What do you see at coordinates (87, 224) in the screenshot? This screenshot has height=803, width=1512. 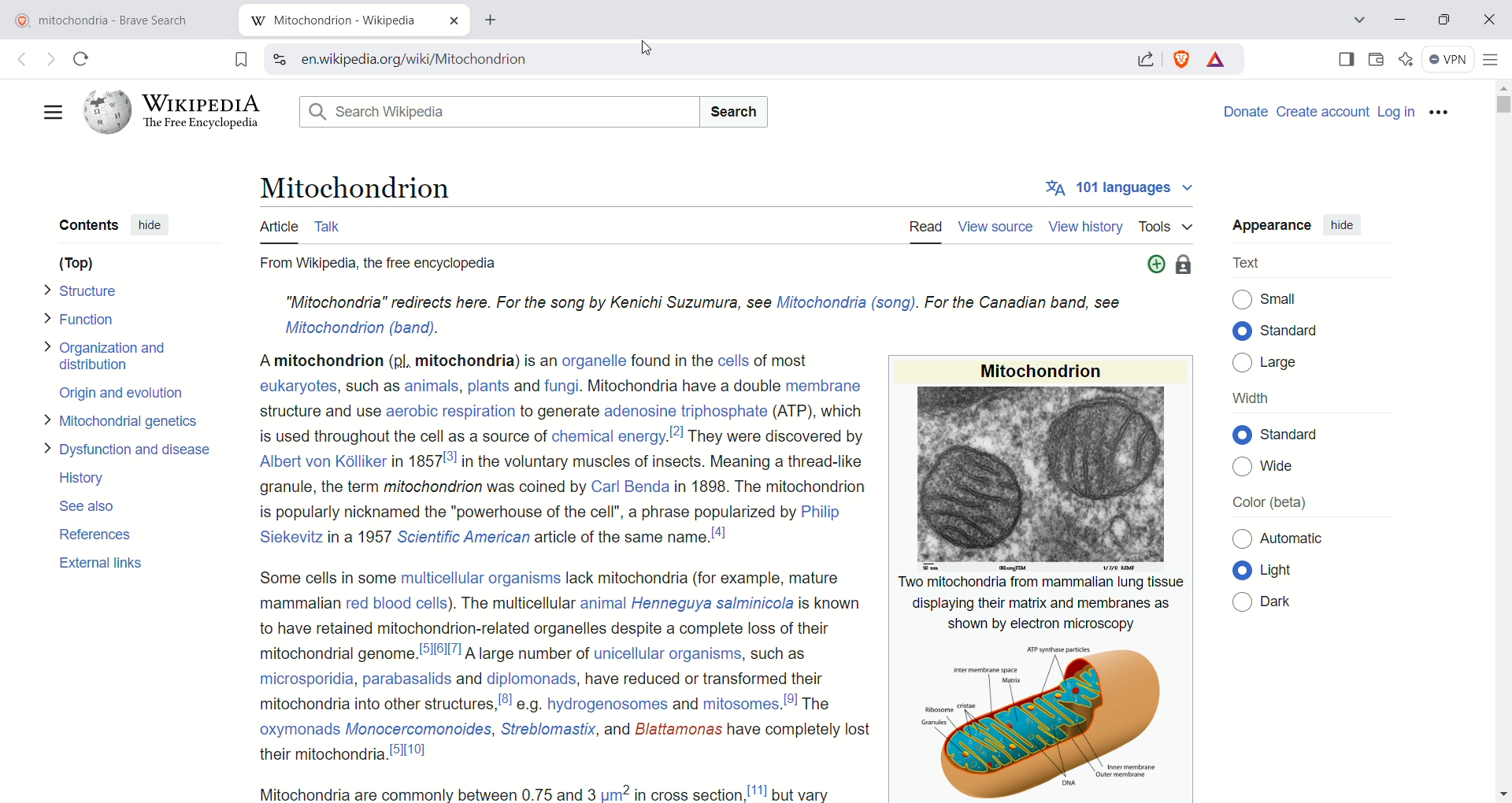 I see `Contents` at bounding box center [87, 224].